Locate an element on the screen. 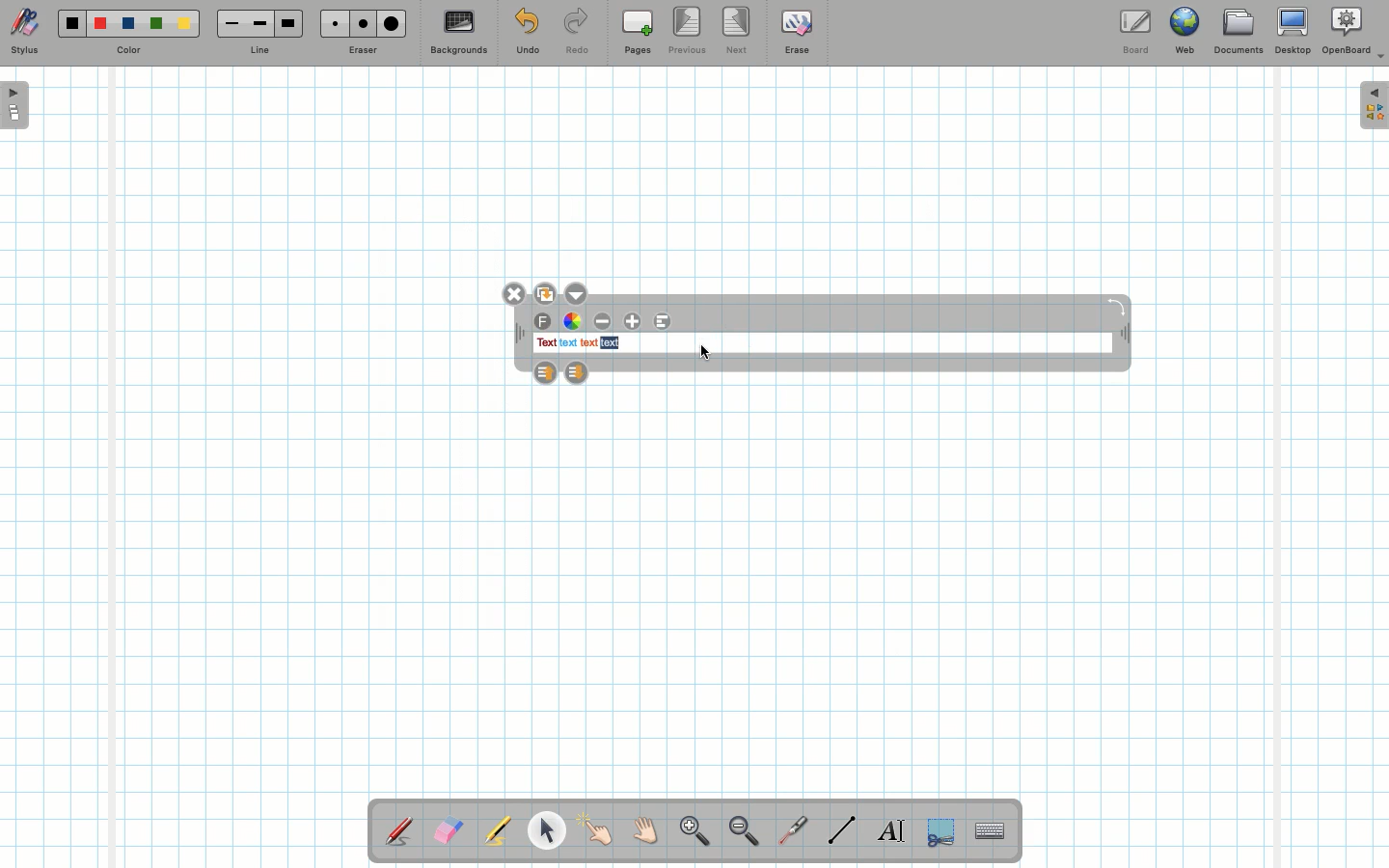 This screenshot has height=868, width=1389. Move is located at coordinates (520, 336).